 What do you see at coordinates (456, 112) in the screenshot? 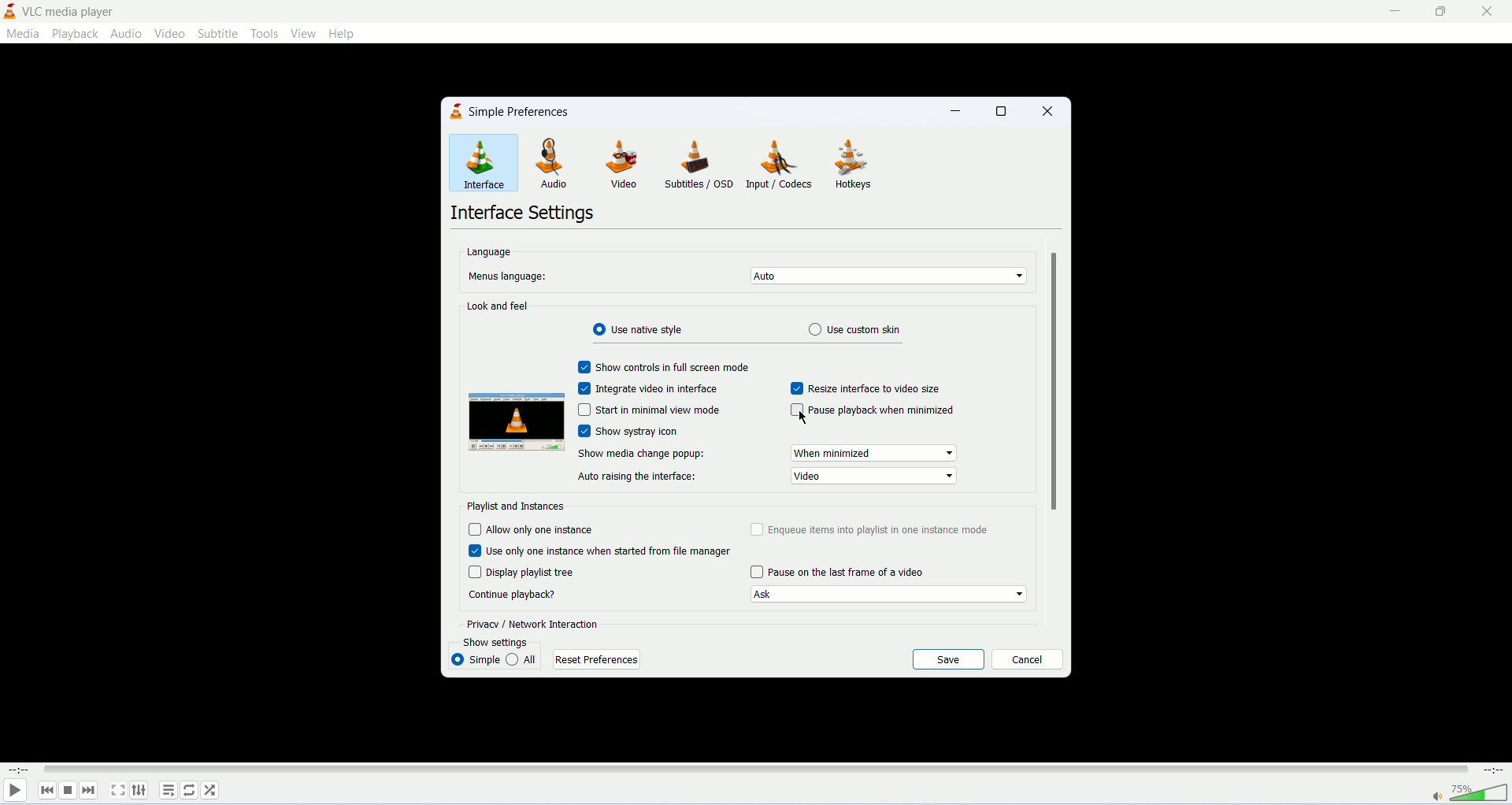
I see `logo` at bounding box center [456, 112].